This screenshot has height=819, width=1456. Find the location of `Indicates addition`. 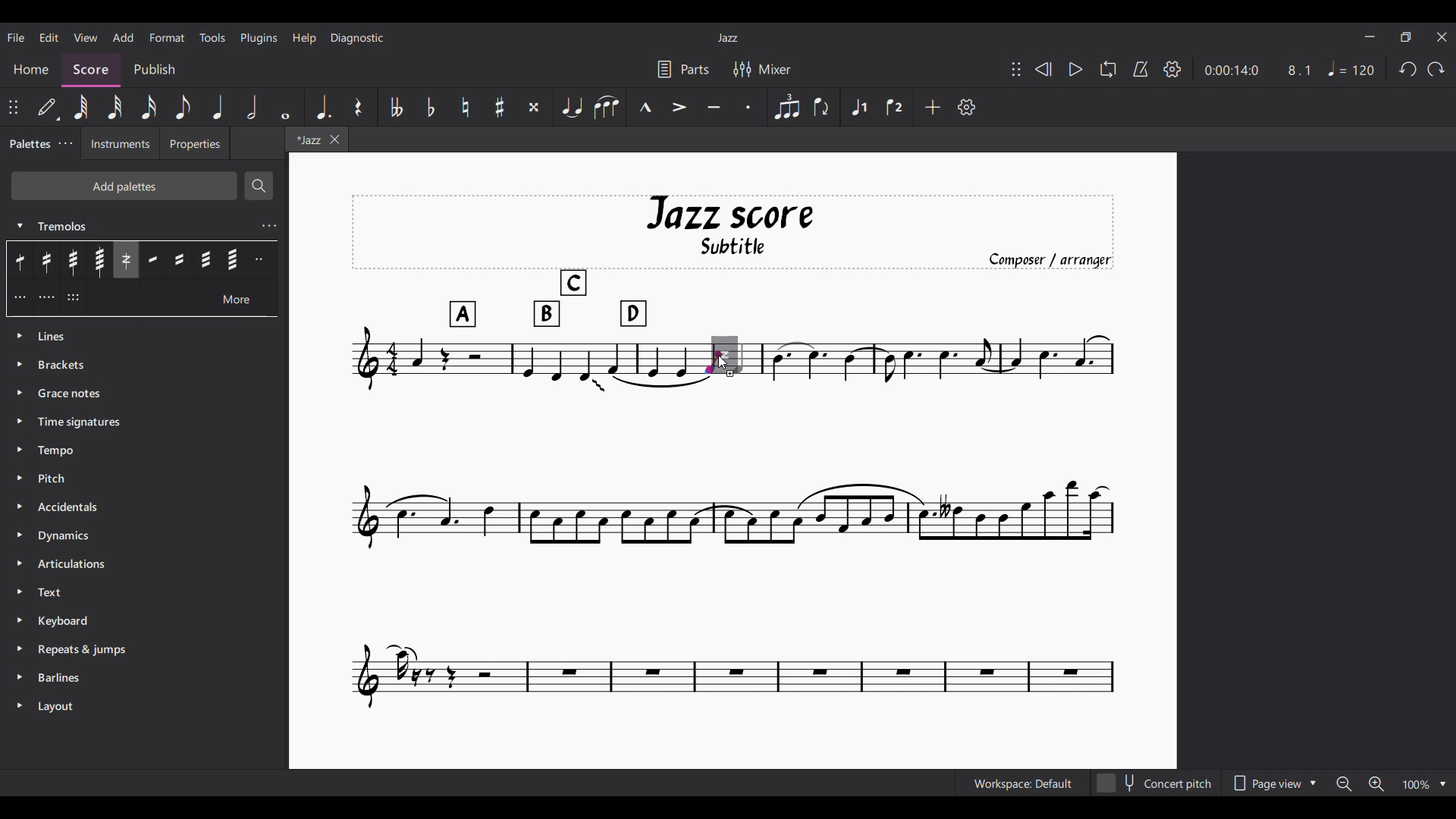

Indicates addition is located at coordinates (730, 373).